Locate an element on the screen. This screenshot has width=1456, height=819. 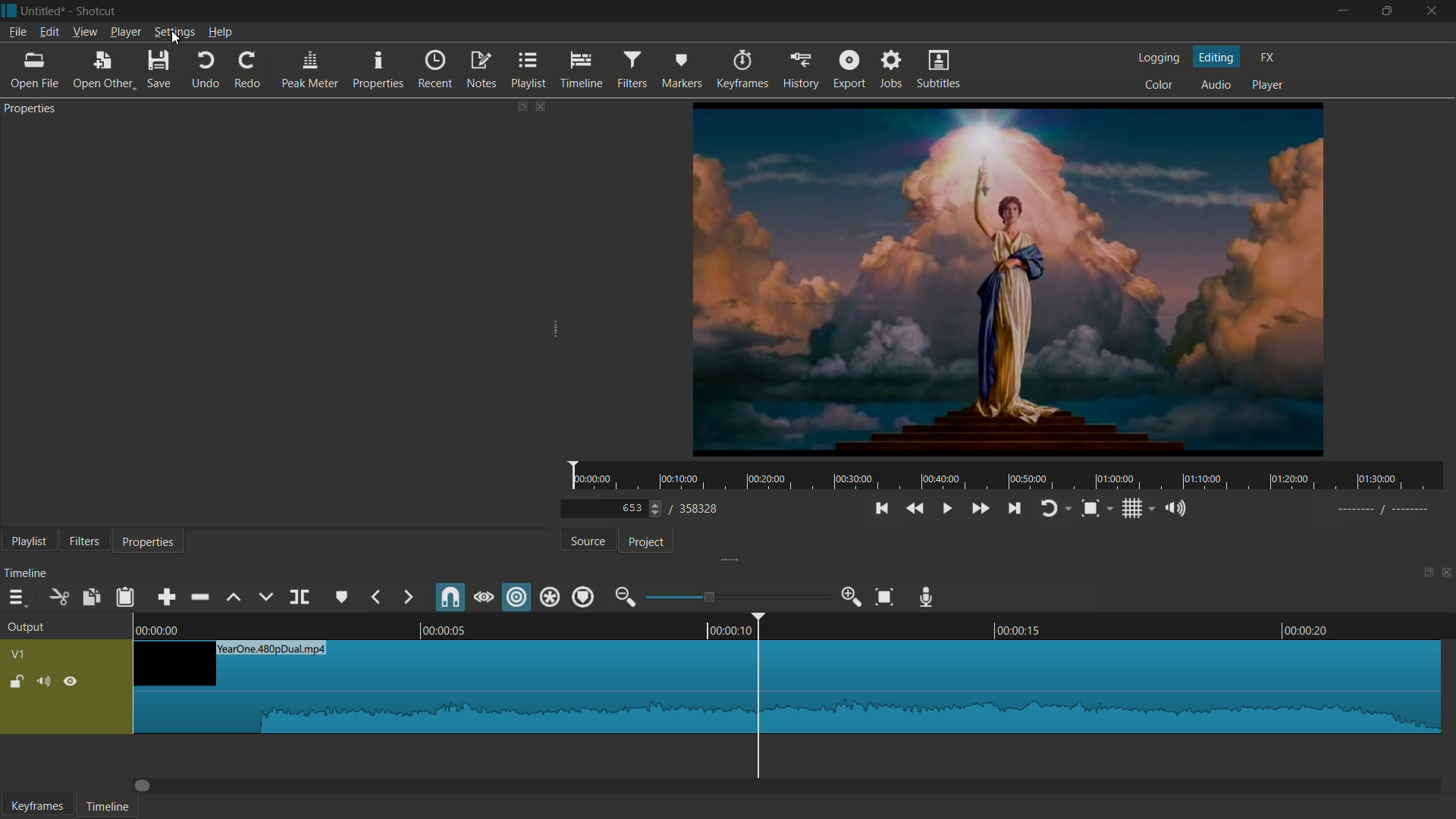
lock is located at coordinates (15, 682).